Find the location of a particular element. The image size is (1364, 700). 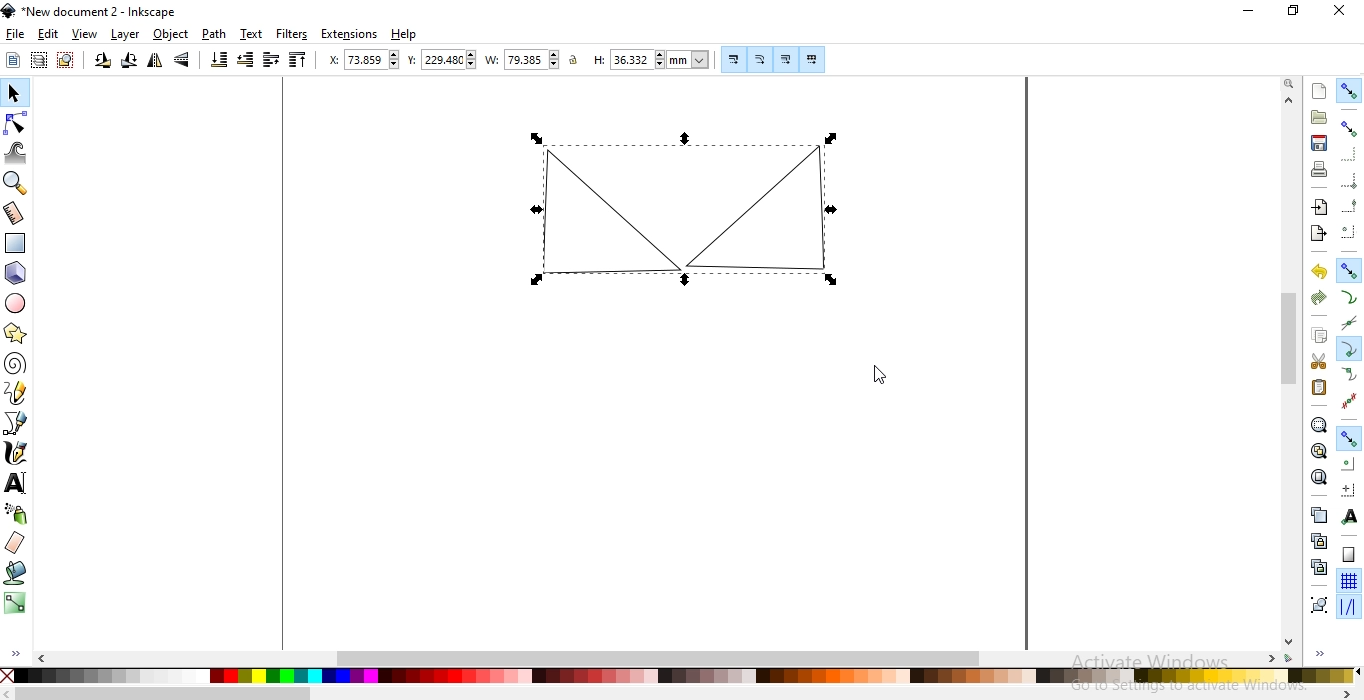

snapping centers of bounding boxes is located at coordinates (1346, 230).